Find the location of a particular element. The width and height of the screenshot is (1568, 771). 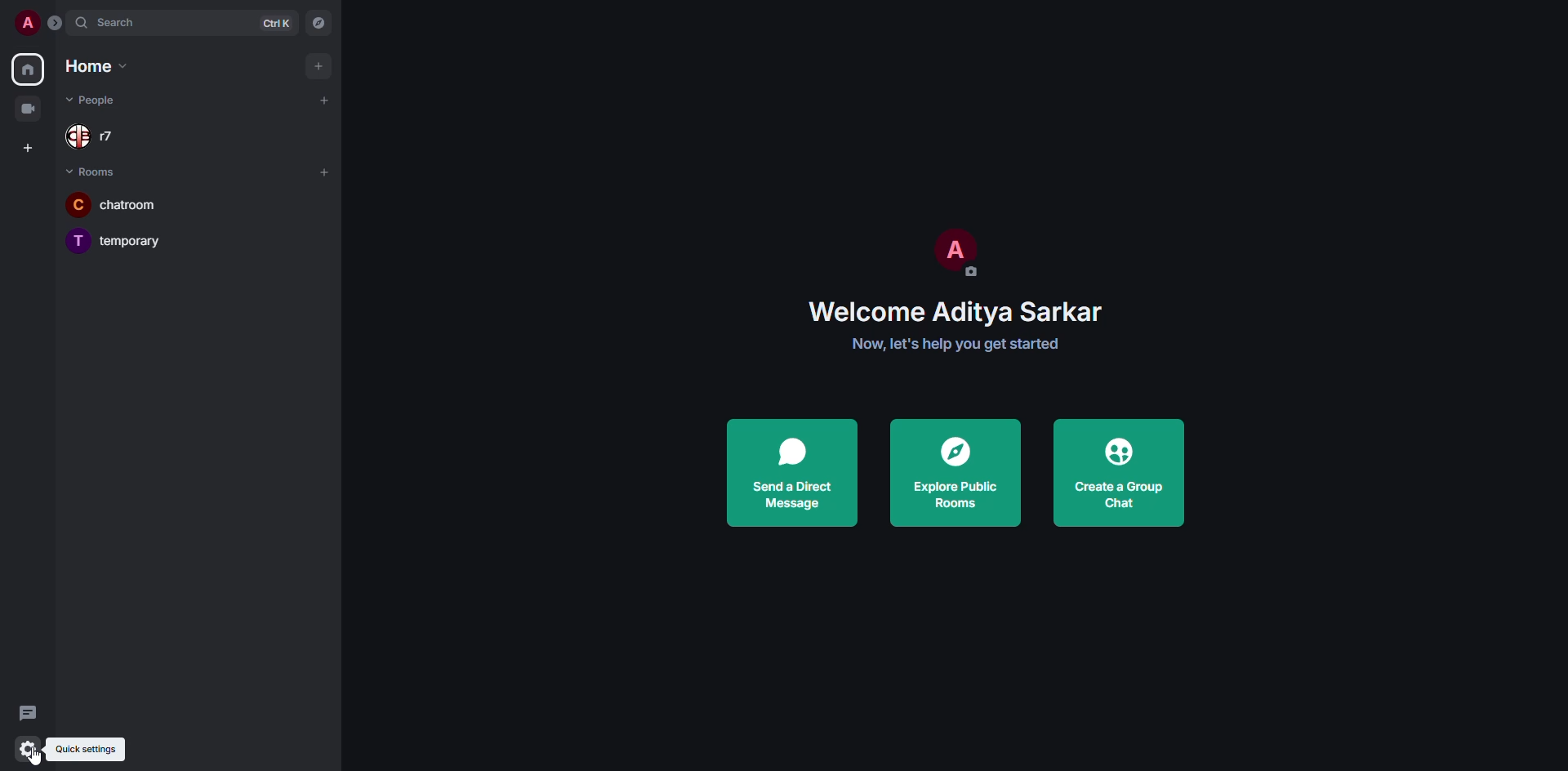

welcome is located at coordinates (959, 311).